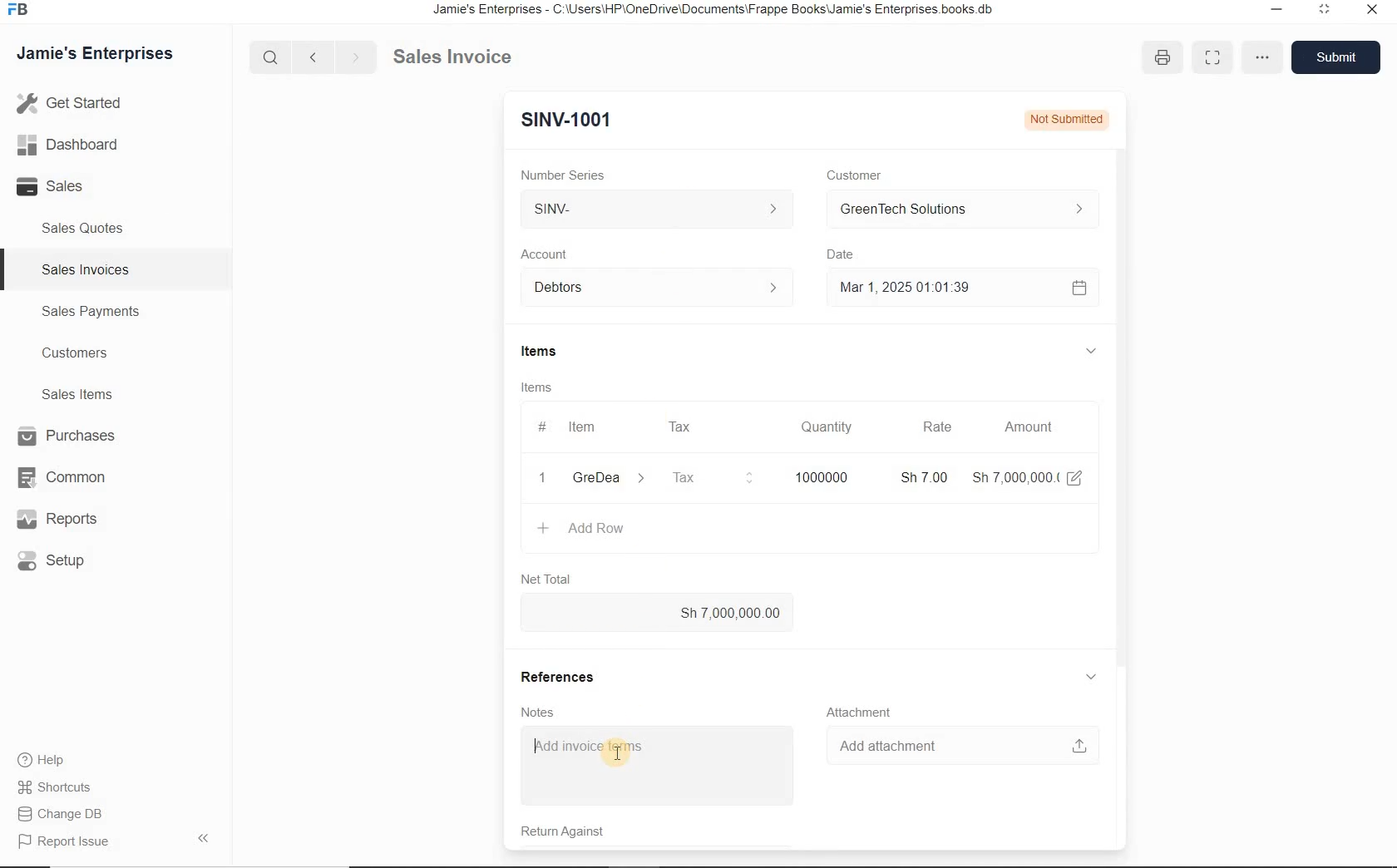  What do you see at coordinates (960, 743) in the screenshot?
I see `‘Add attachment` at bounding box center [960, 743].